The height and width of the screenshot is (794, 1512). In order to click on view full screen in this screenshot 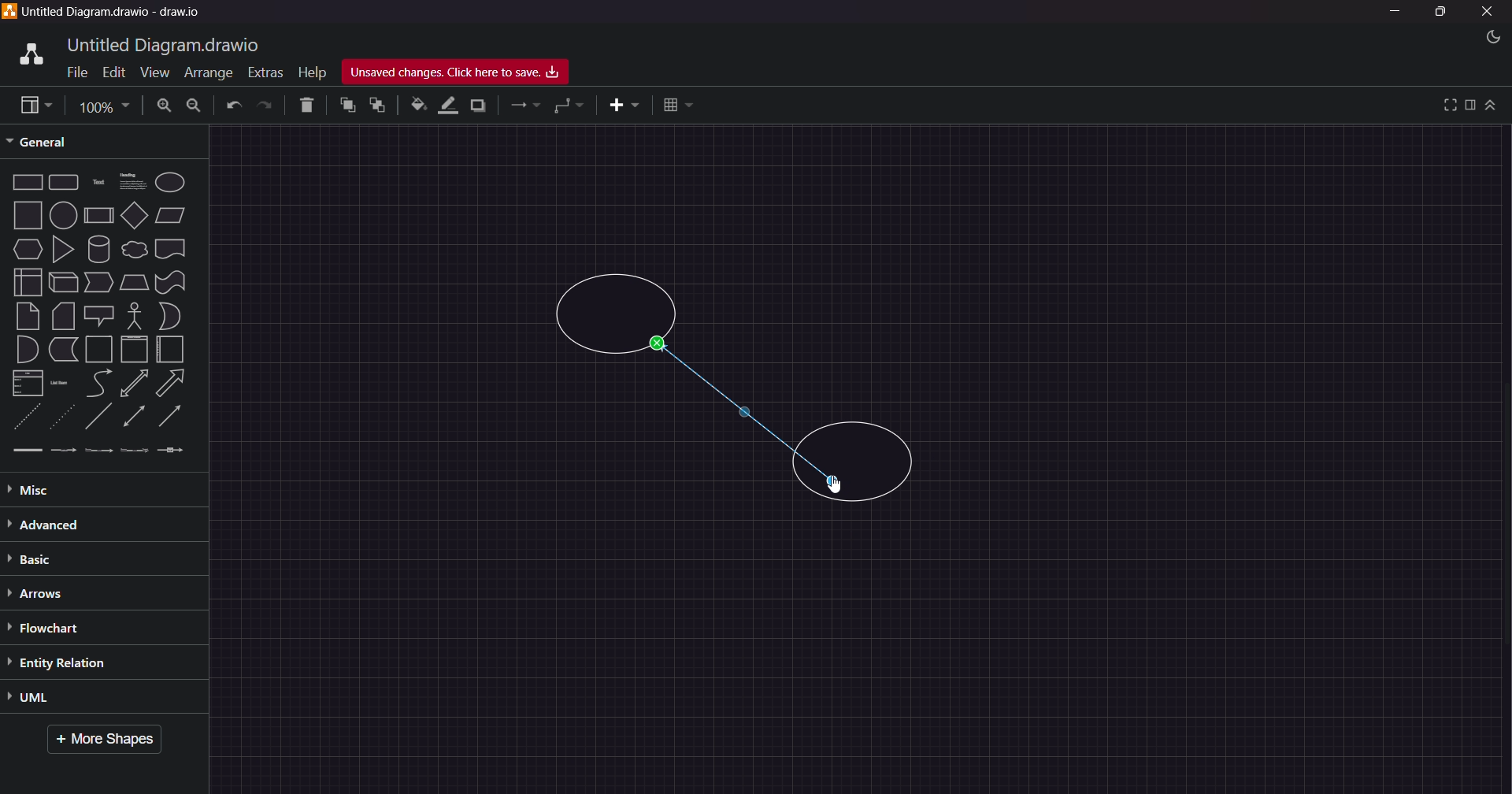, I will do `click(1447, 104)`.